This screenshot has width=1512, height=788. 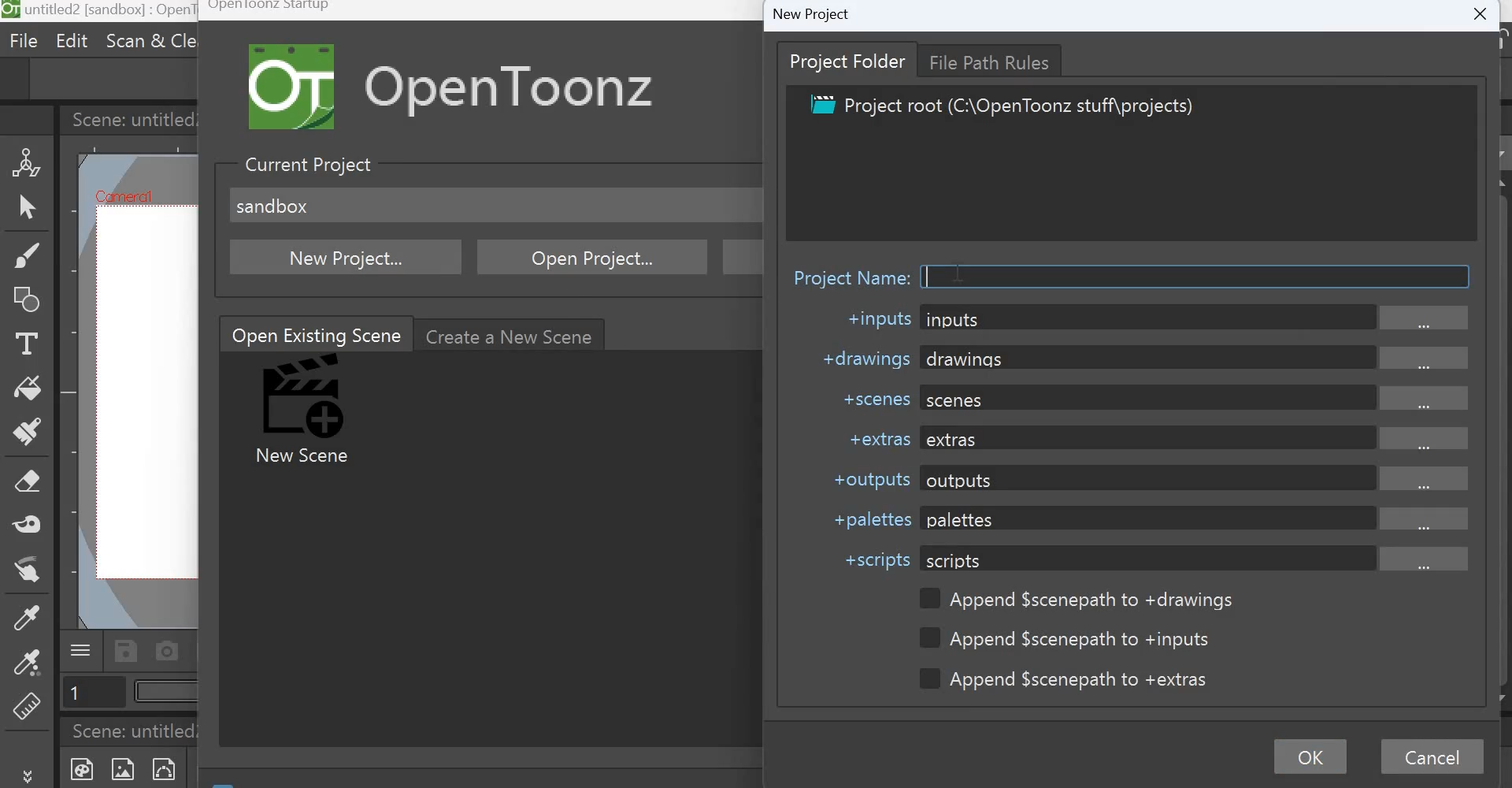 What do you see at coordinates (1197, 519) in the screenshot?
I see `palettes` at bounding box center [1197, 519].